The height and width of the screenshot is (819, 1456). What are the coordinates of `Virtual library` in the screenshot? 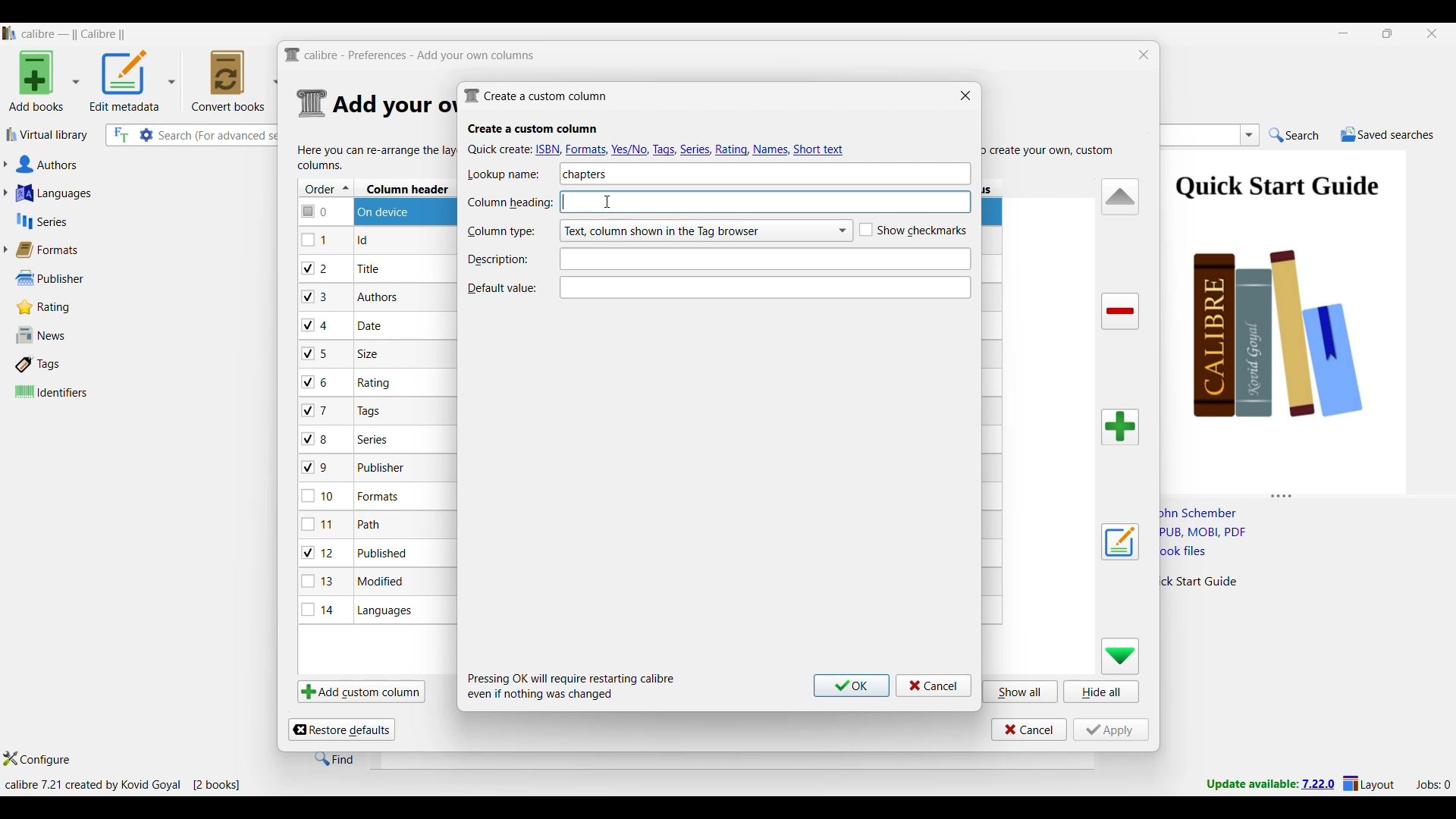 It's located at (48, 134).